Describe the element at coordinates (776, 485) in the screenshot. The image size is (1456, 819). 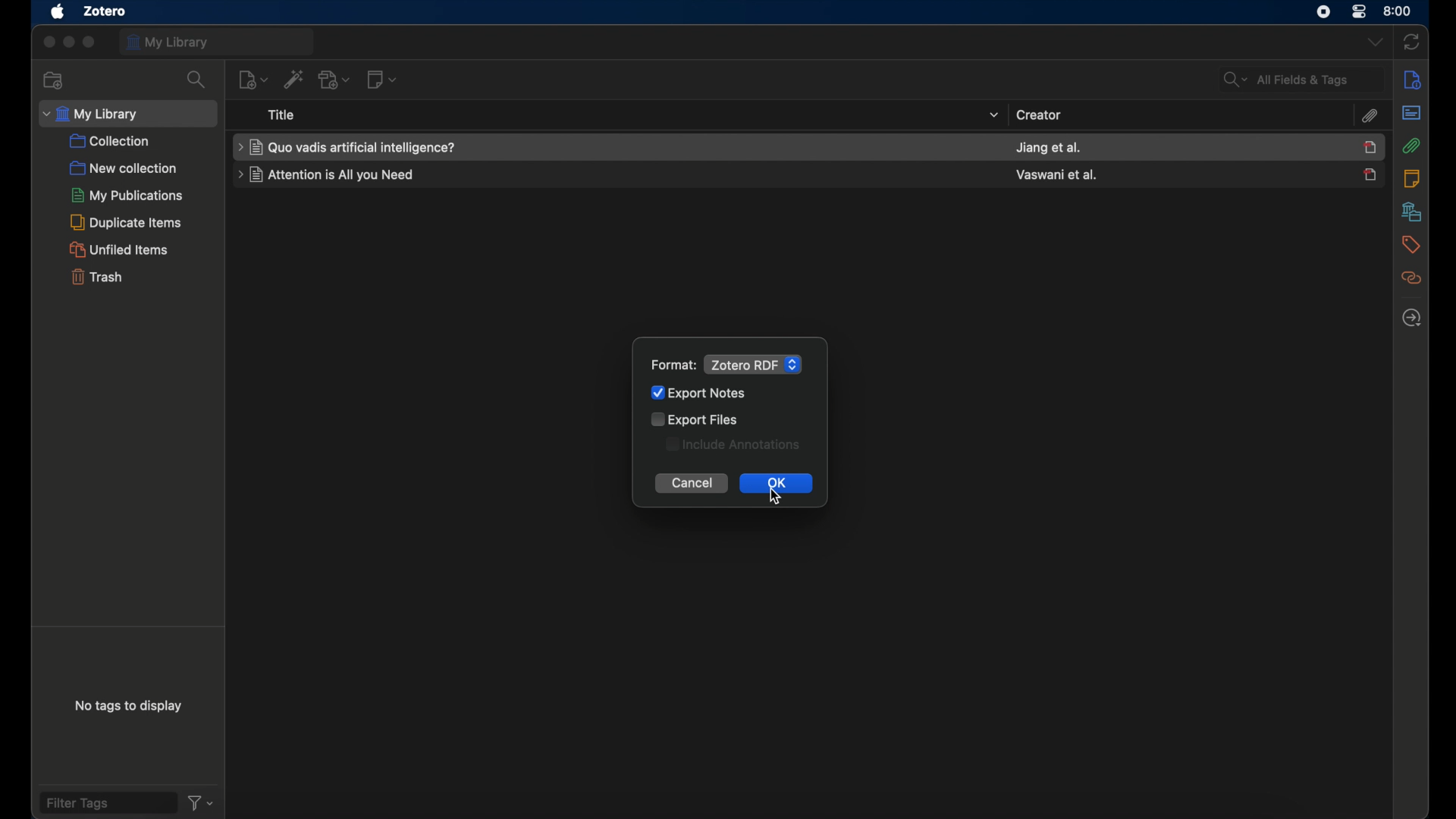
I see `ok` at that location.